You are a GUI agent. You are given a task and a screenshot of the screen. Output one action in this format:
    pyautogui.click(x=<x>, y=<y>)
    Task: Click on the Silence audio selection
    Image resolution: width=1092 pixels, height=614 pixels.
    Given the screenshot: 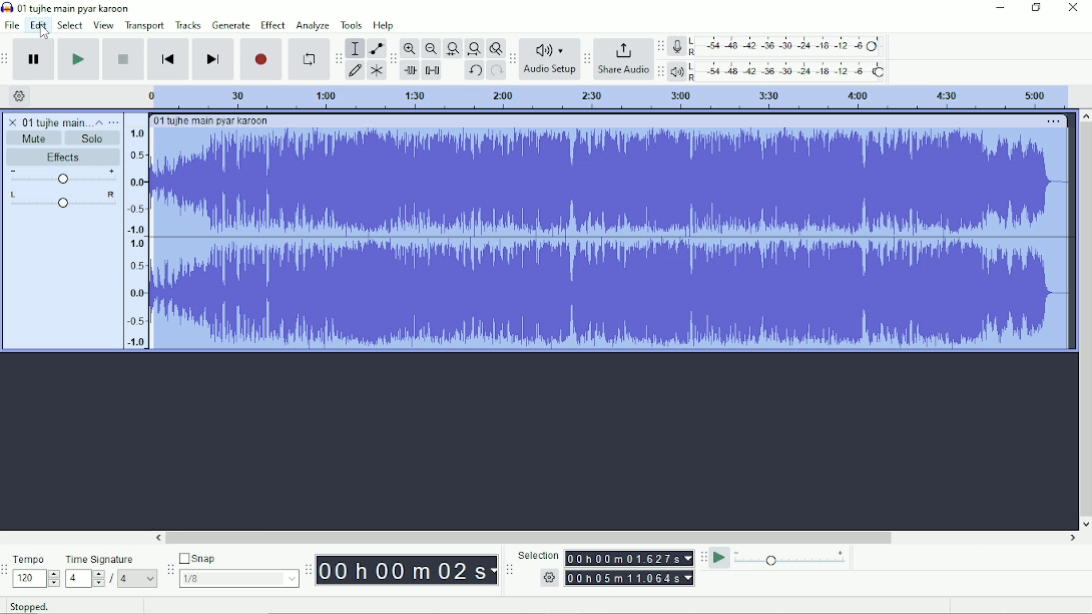 What is the action you would take?
    pyautogui.click(x=433, y=71)
    